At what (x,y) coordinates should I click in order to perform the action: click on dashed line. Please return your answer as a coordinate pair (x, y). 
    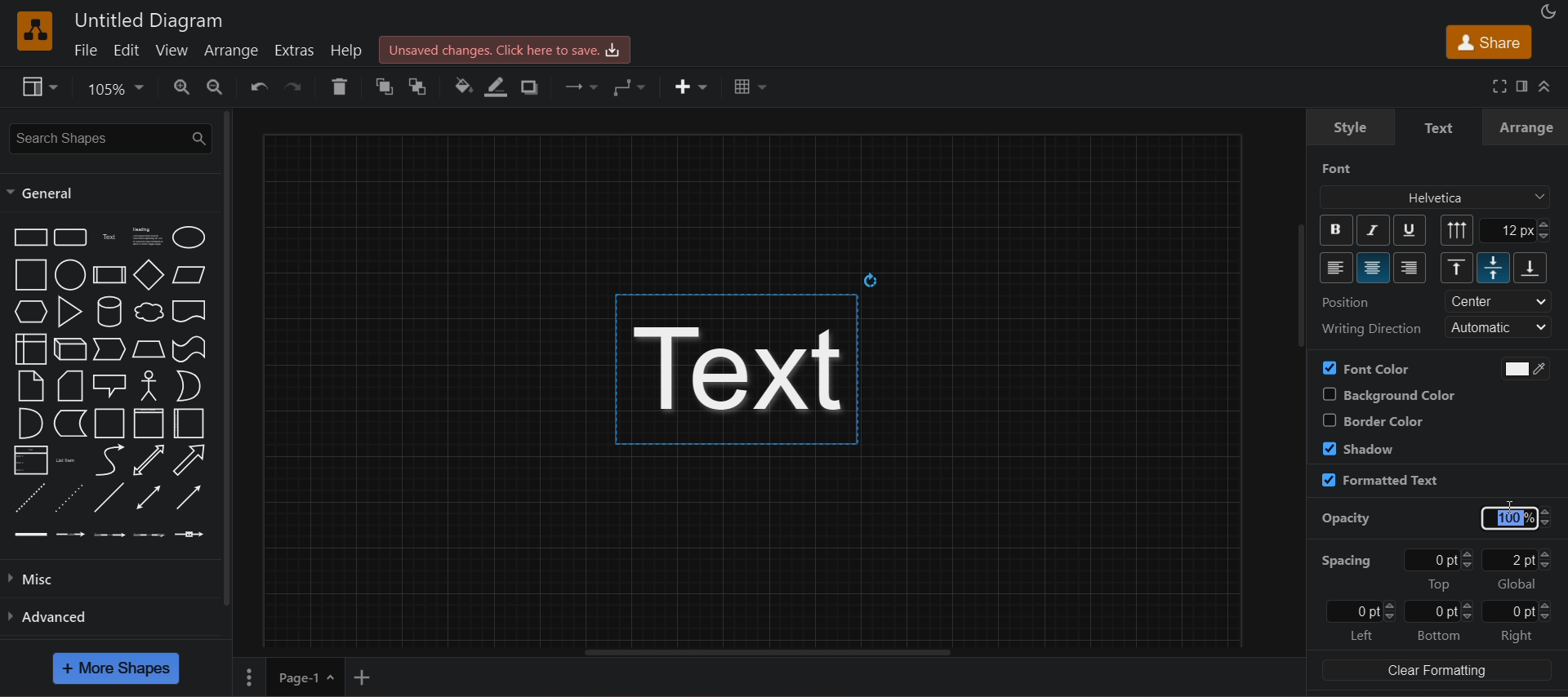
    Looking at the image, I should click on (31, 498).